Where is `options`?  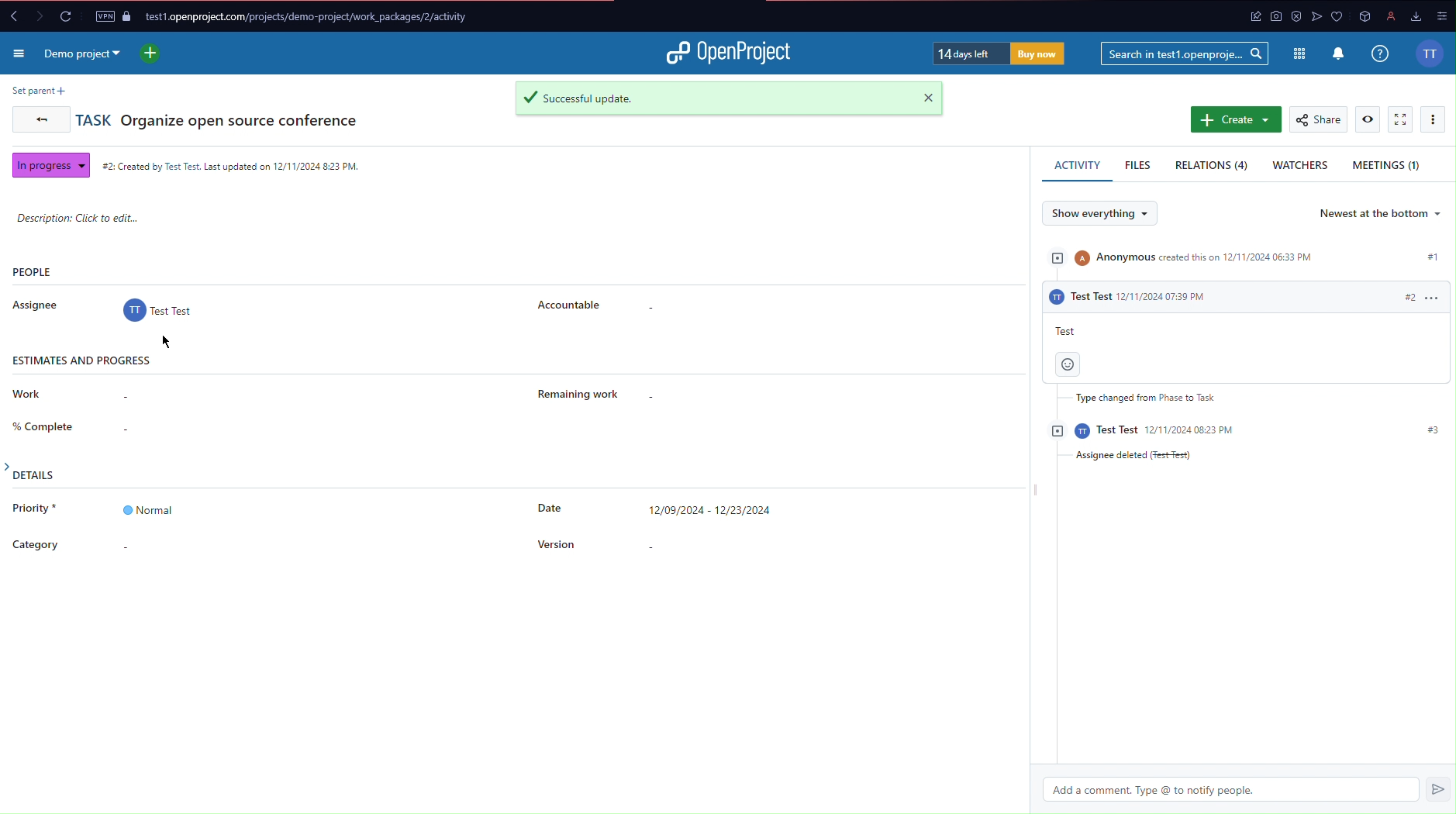
options is located at coordinates (1440, 14).